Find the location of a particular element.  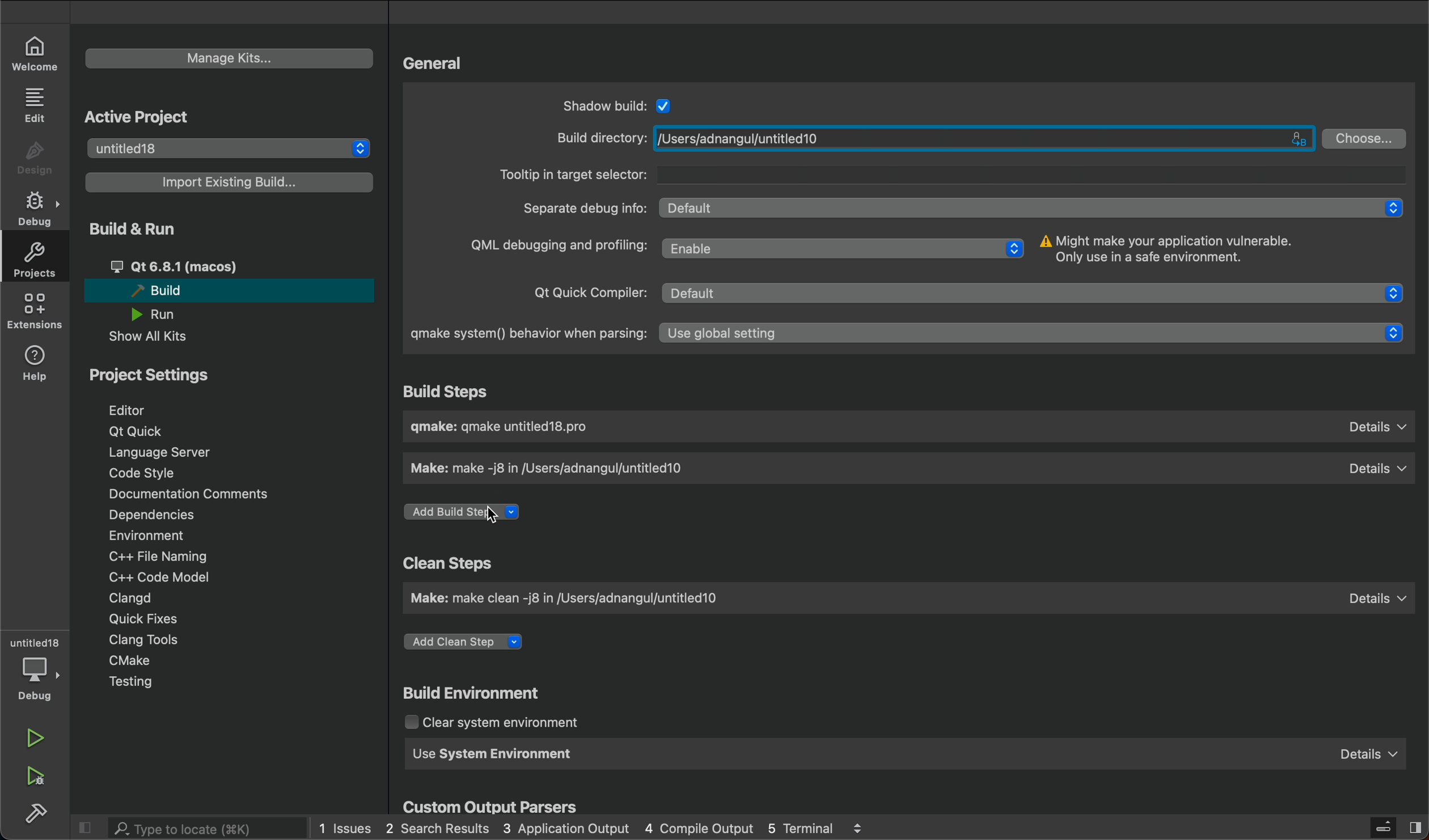

Manage Kits... is located at coordinates (229, 58).